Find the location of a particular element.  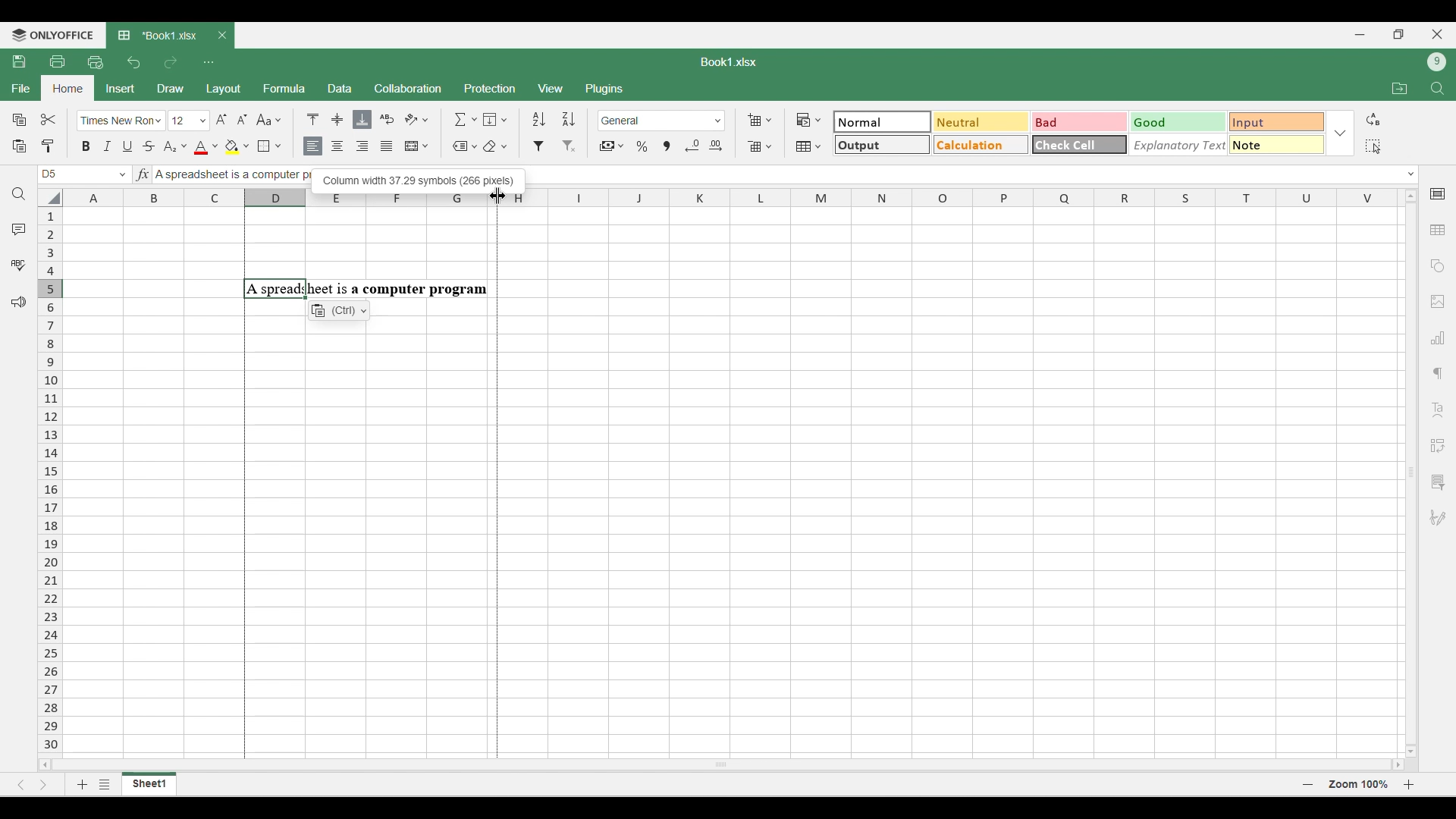

Borders is located at coordinates (269, 146).